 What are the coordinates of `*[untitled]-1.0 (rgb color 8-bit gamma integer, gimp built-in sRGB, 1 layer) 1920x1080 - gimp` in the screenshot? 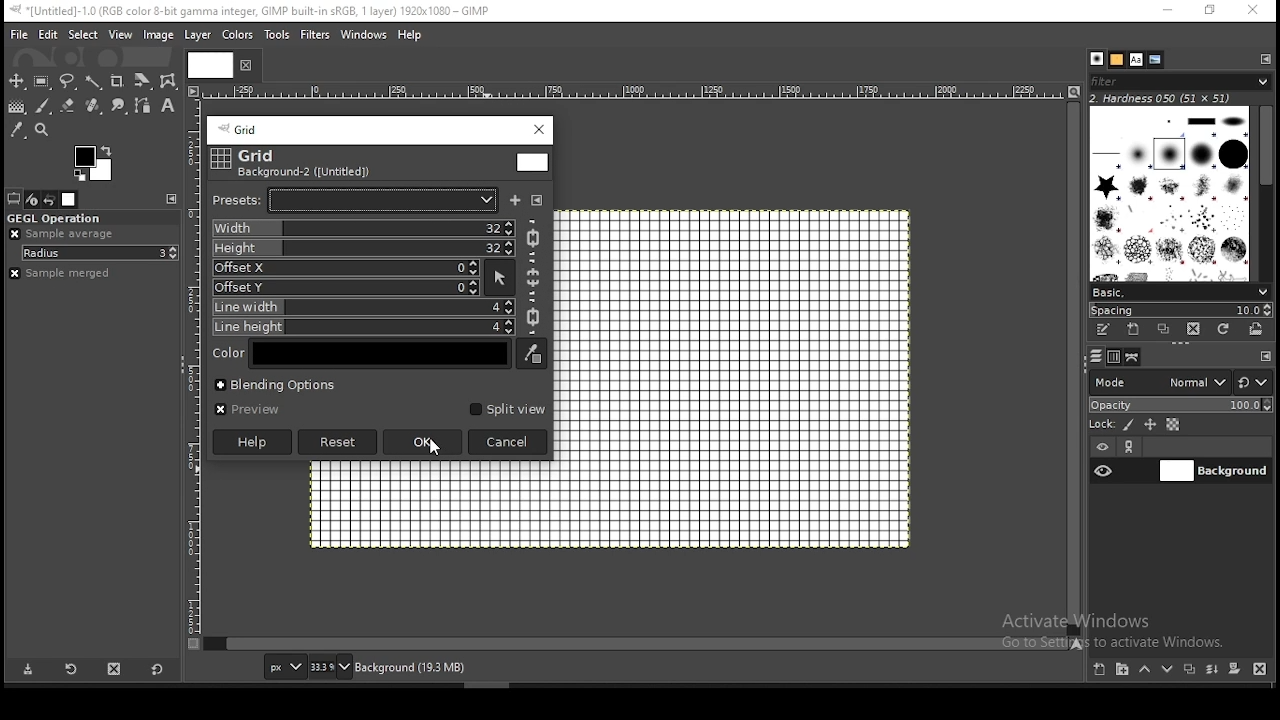 It's located at (255, 11).